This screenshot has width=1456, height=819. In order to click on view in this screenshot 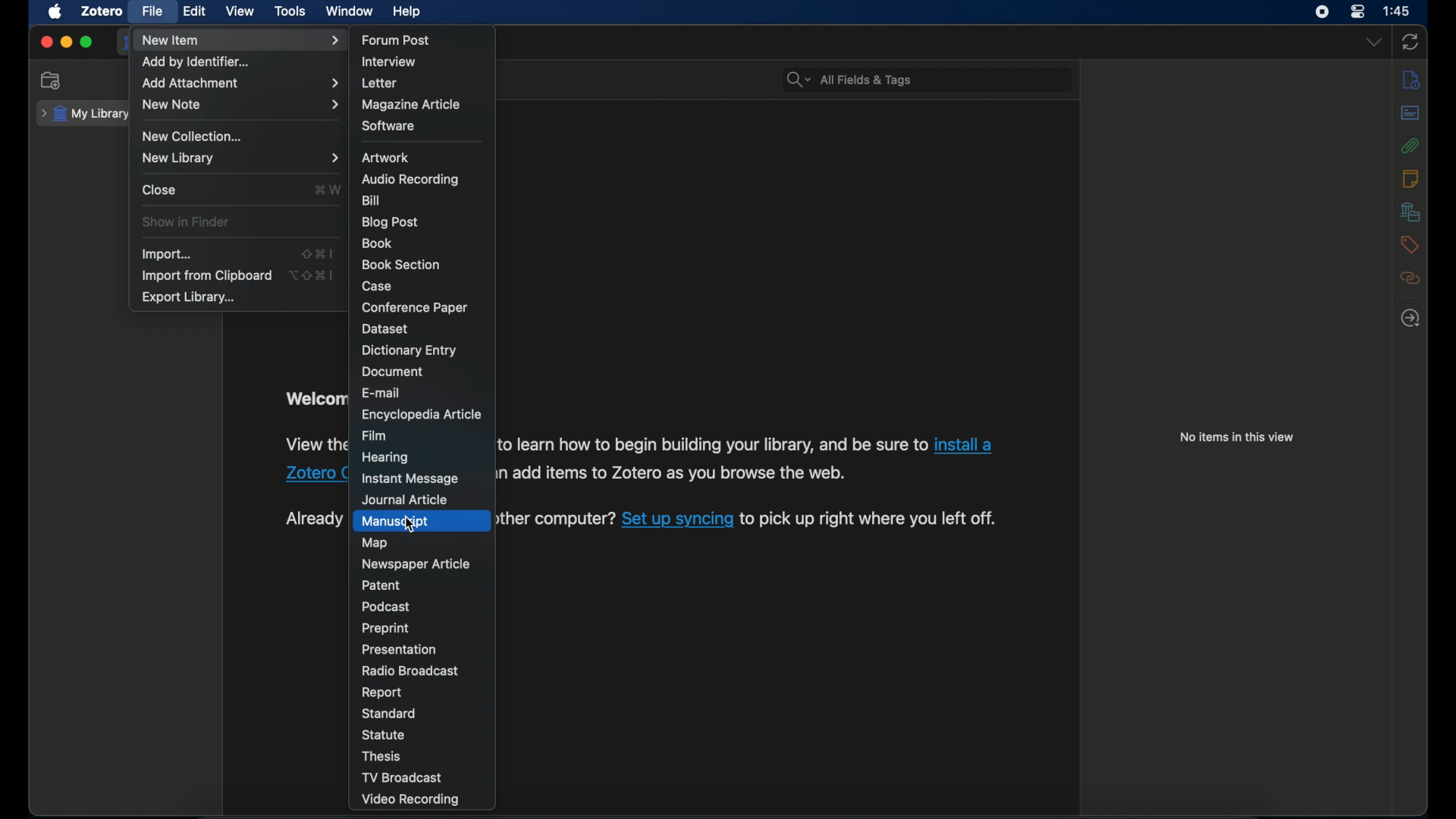, I will do `click(241, 11)`.